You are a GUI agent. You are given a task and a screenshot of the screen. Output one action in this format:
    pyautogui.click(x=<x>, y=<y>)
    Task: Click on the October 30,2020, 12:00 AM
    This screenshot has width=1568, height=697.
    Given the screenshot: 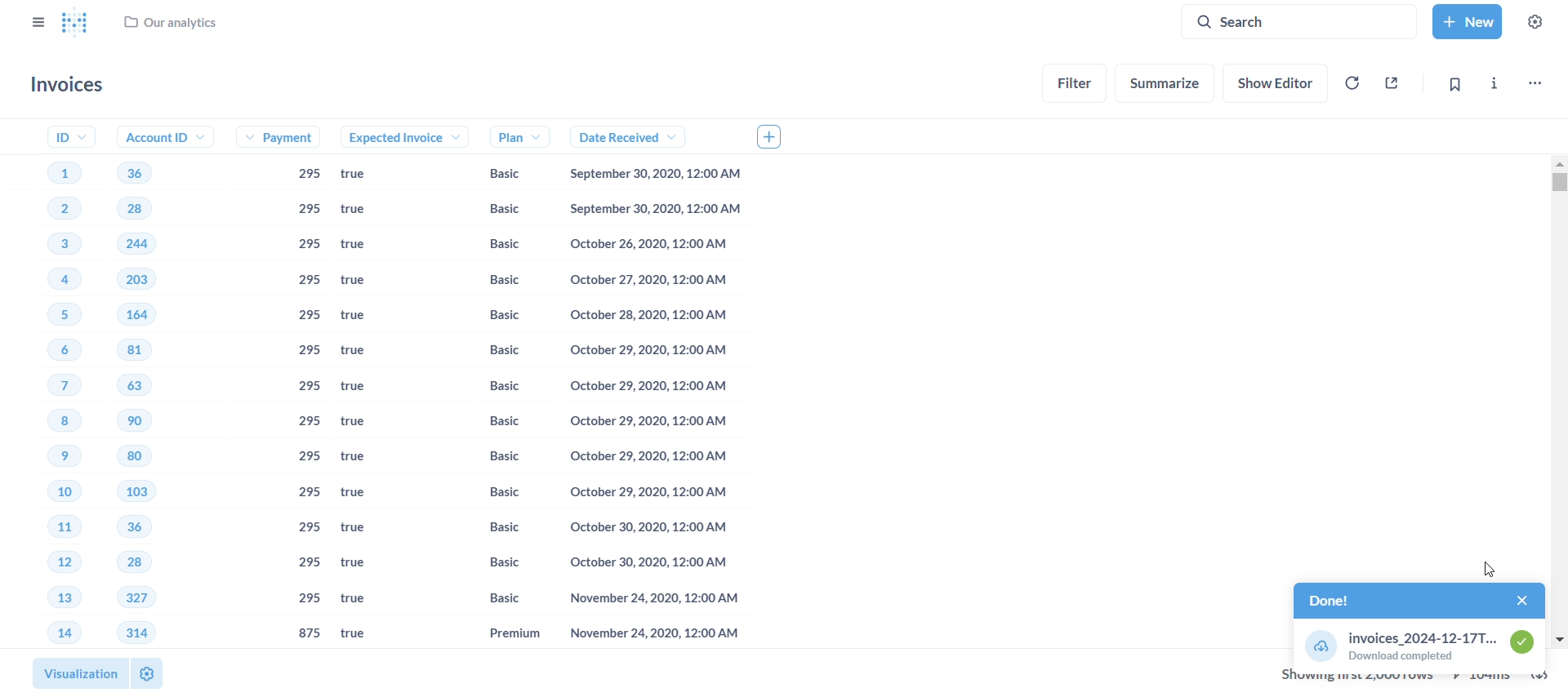 What is the action you would take?
    pyautogui.click(x=649, y=526)
    